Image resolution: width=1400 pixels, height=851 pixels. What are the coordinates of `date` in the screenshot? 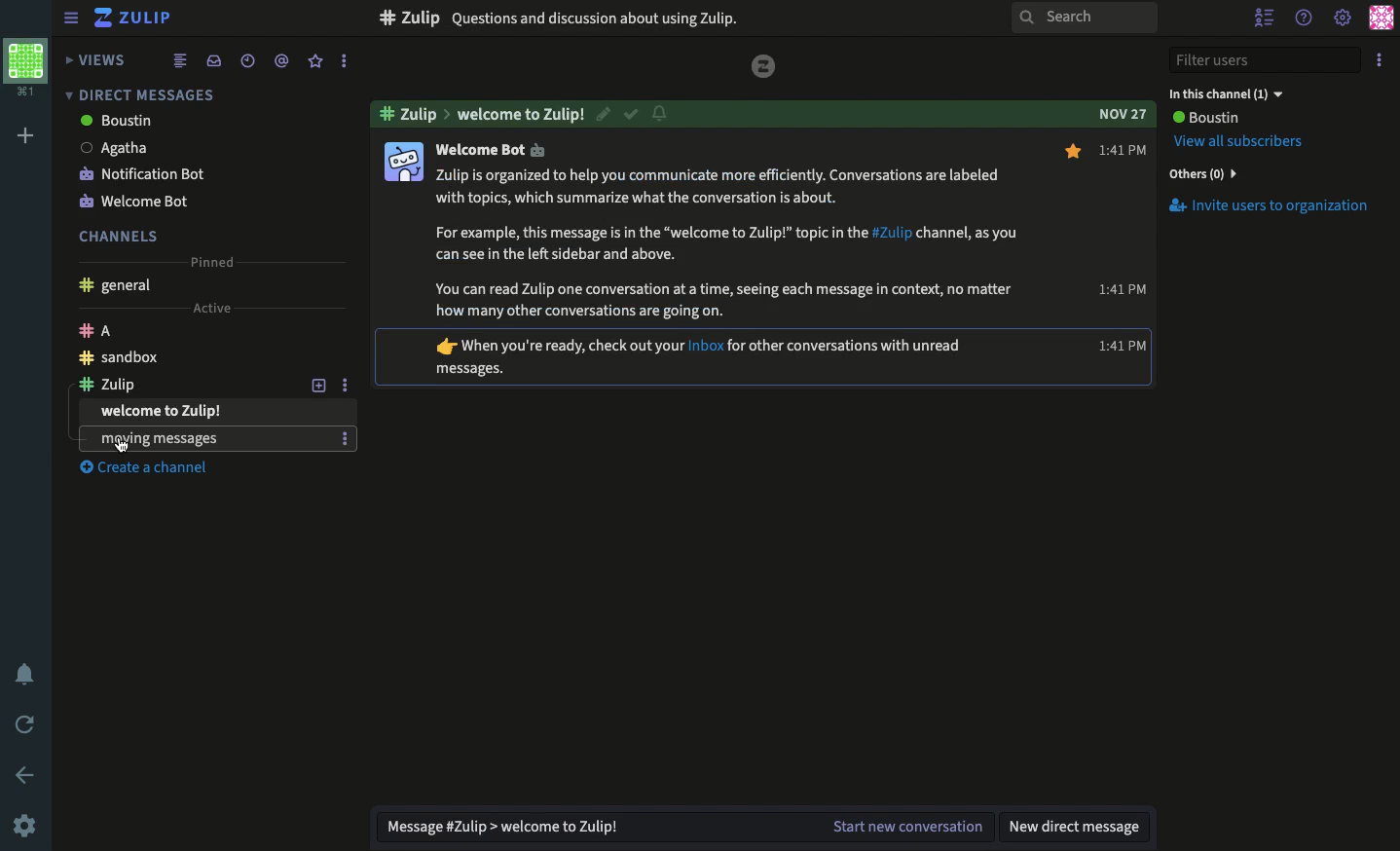 It's located at (1122, 114).